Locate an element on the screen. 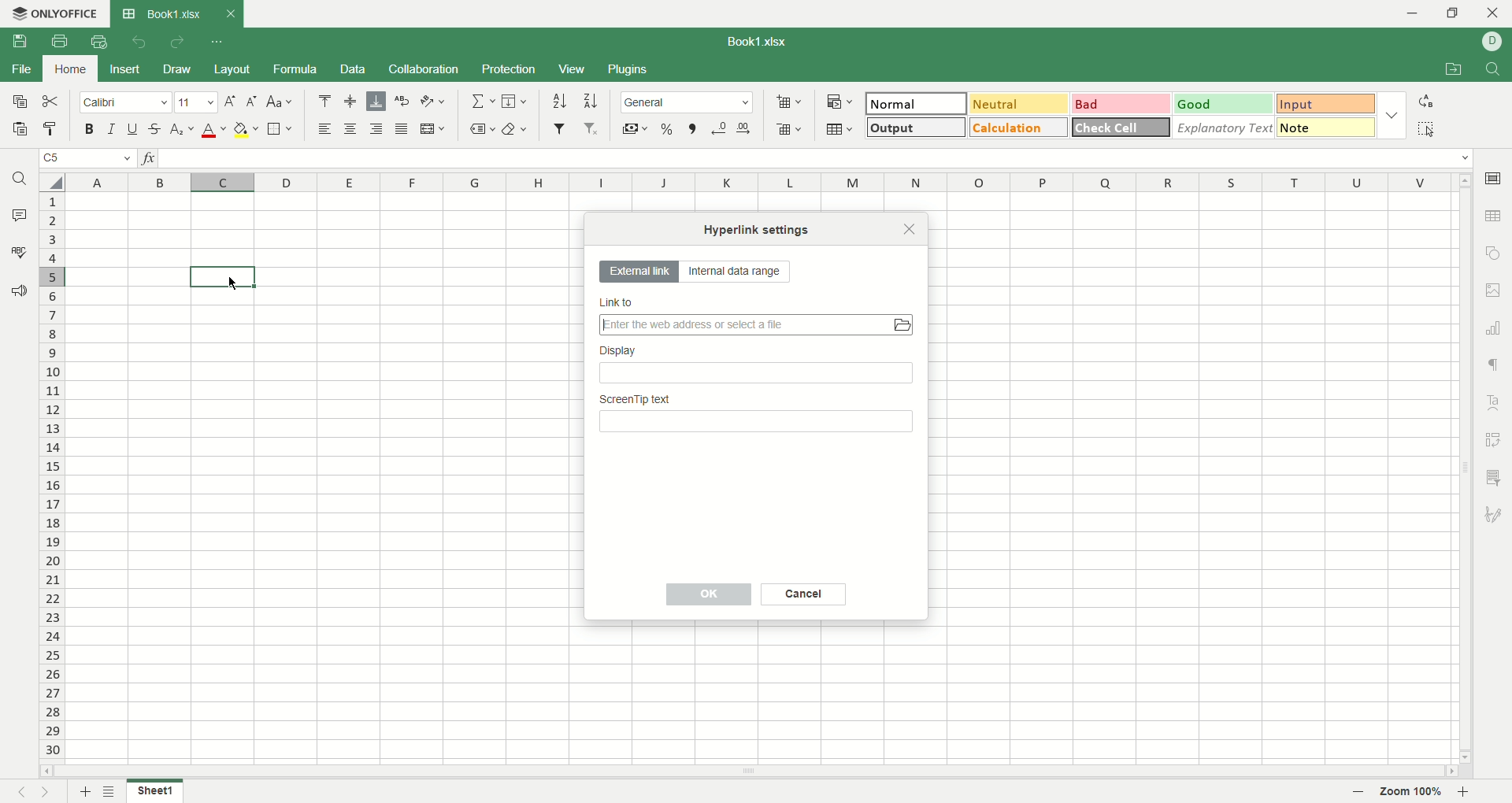  subscript/superscript is located at coordinates (182, 130).